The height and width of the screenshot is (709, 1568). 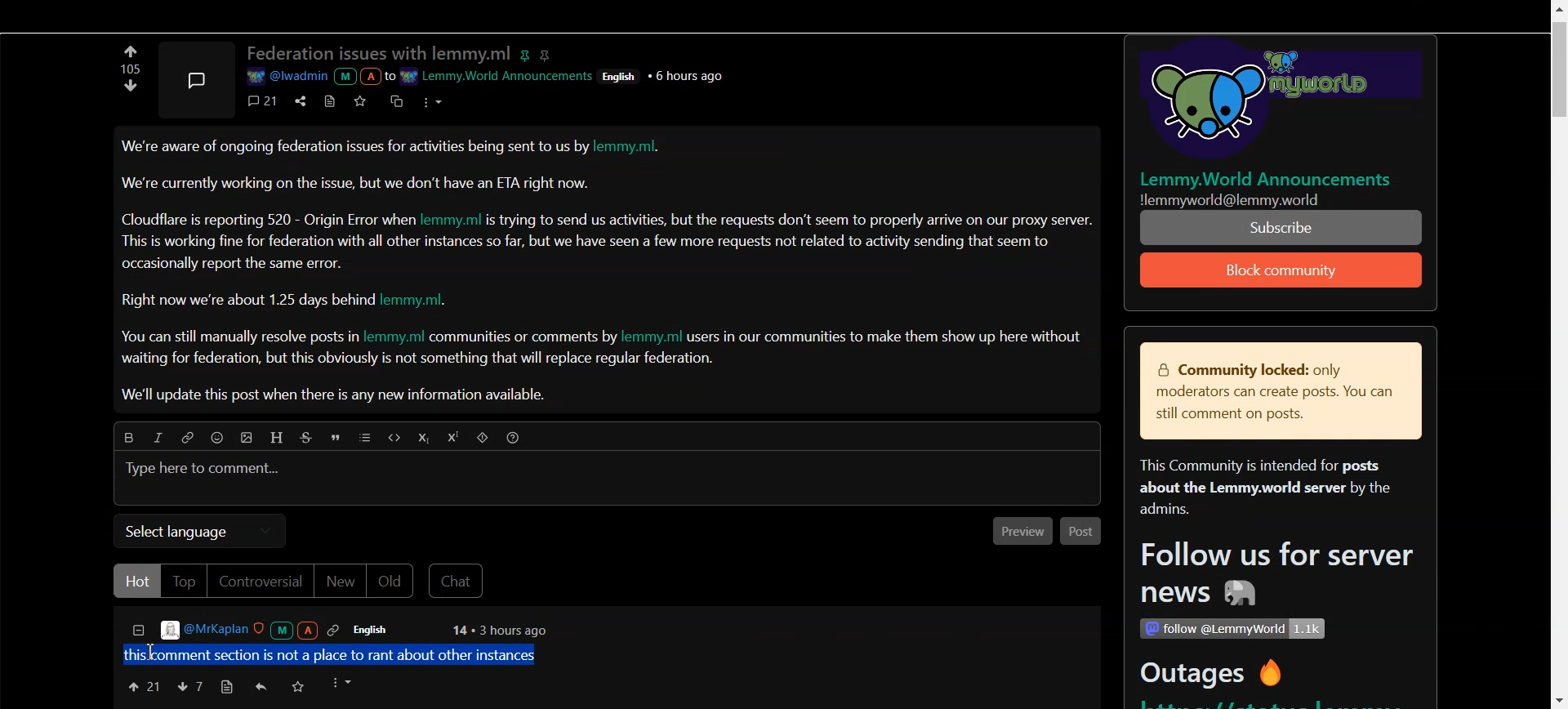 I want to click on We're currently working on the issue, but we don’t have an ETA right now., so click(x=357, y=183).